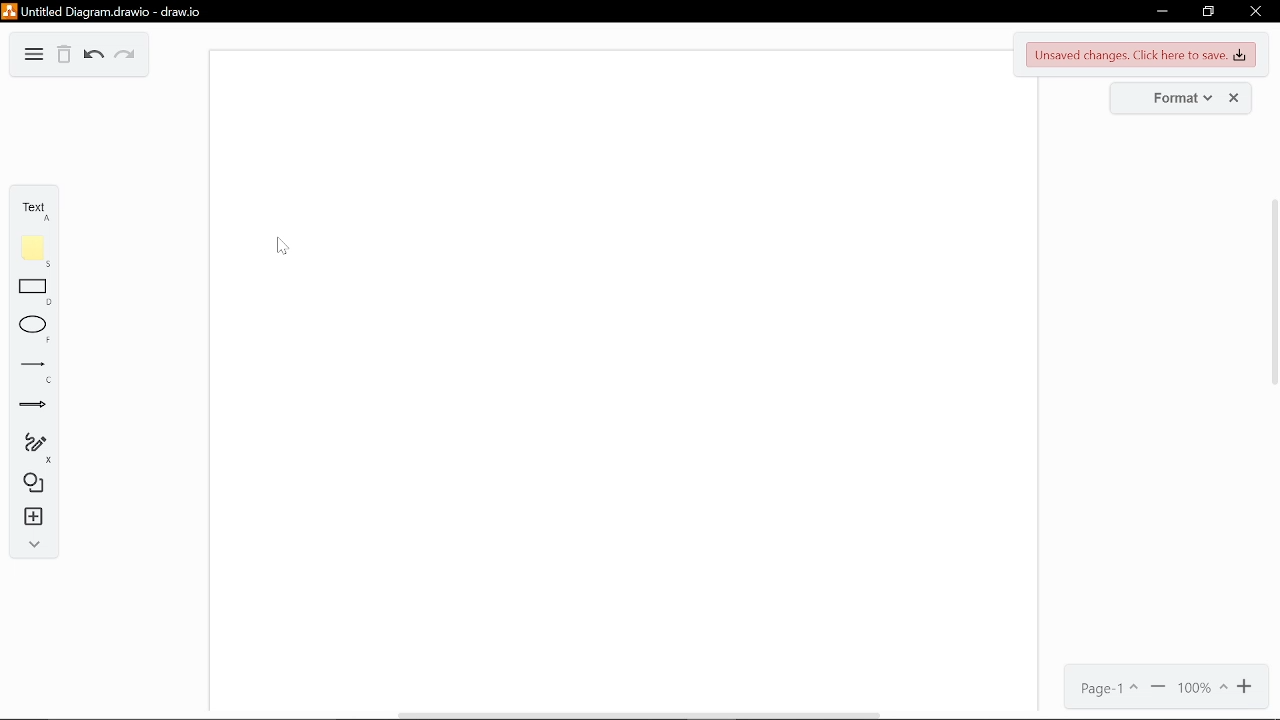  I want to click on close, so click(1237, 98).